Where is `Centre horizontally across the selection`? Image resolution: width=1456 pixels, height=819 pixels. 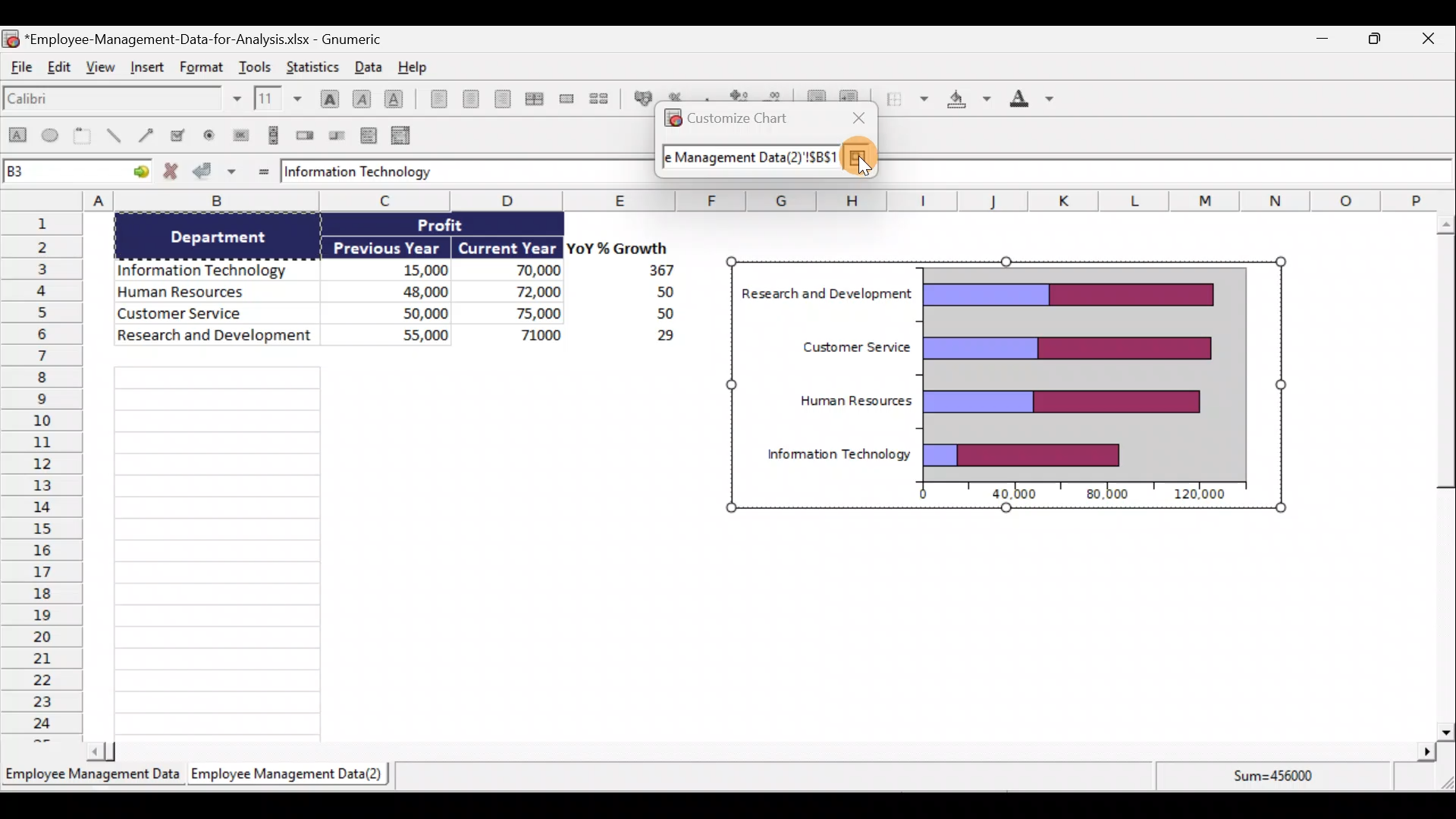 Centre horizontally across the selection is located at coordinates (538, 99).